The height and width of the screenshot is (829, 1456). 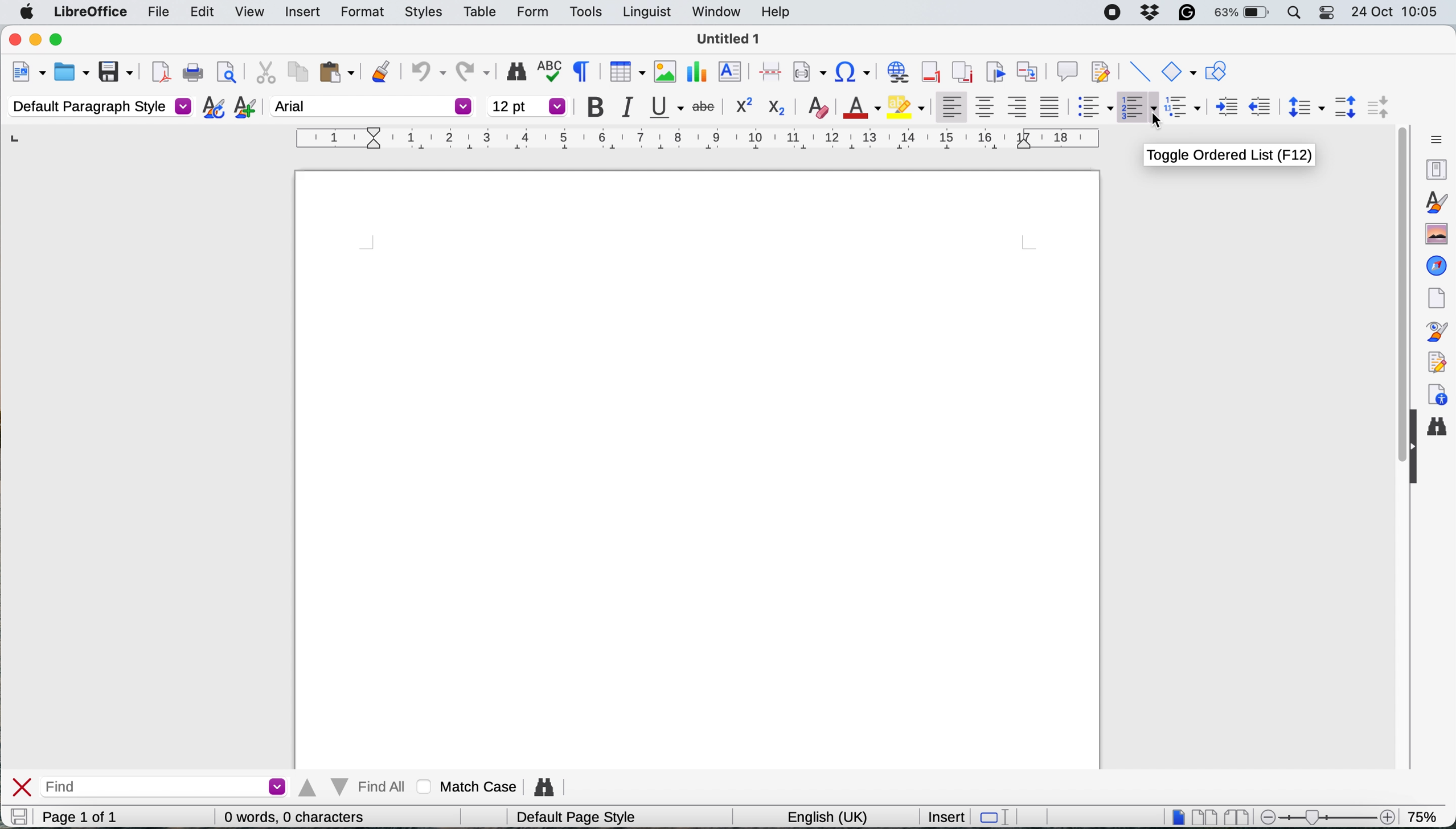 What do you see at coordinates (528, 106) in the screenshot?
I see `font size` at bounding box center [528, 106].